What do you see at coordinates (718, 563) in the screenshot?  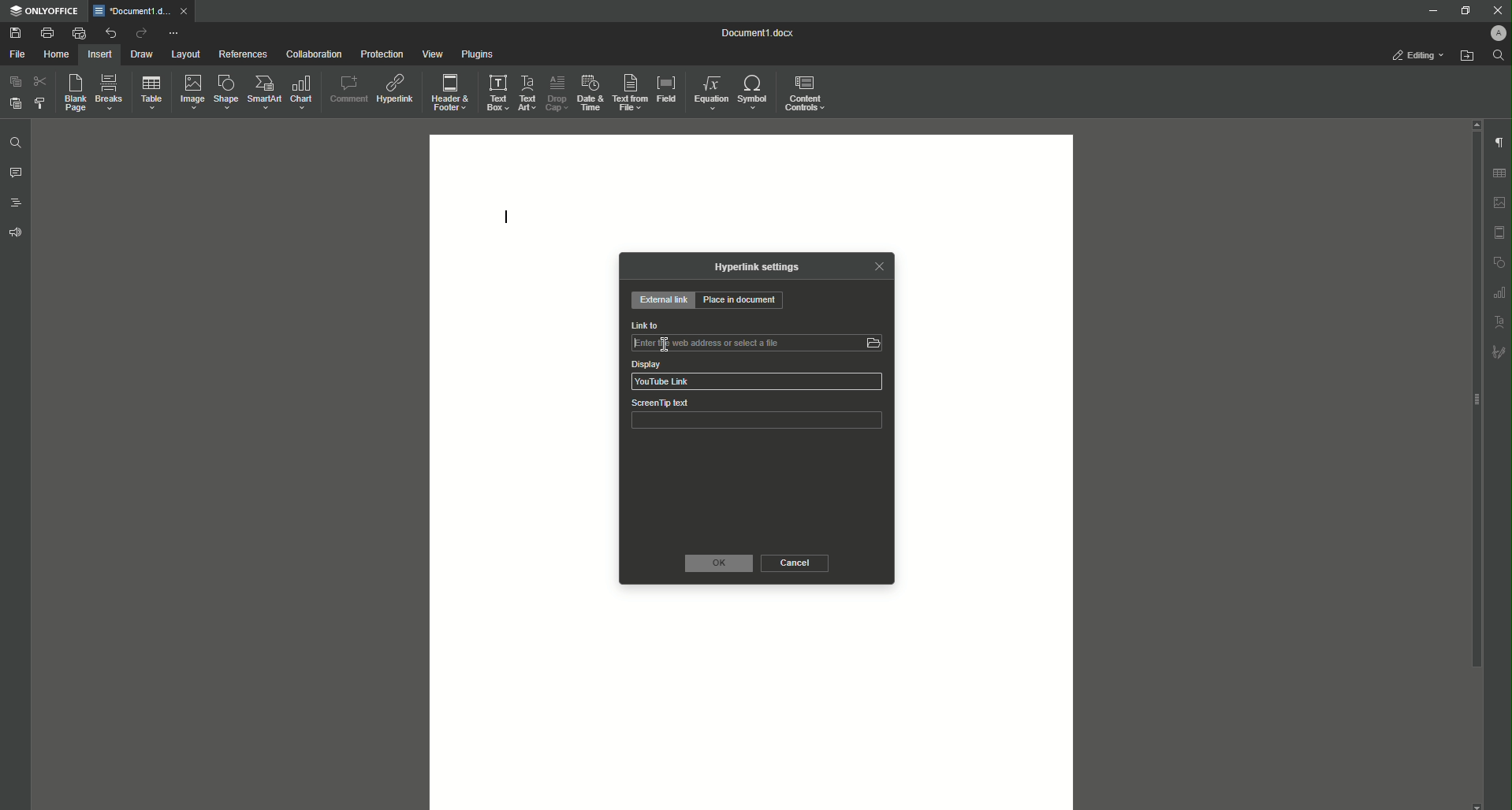 I see `OK` at bounding box center [718, 563].